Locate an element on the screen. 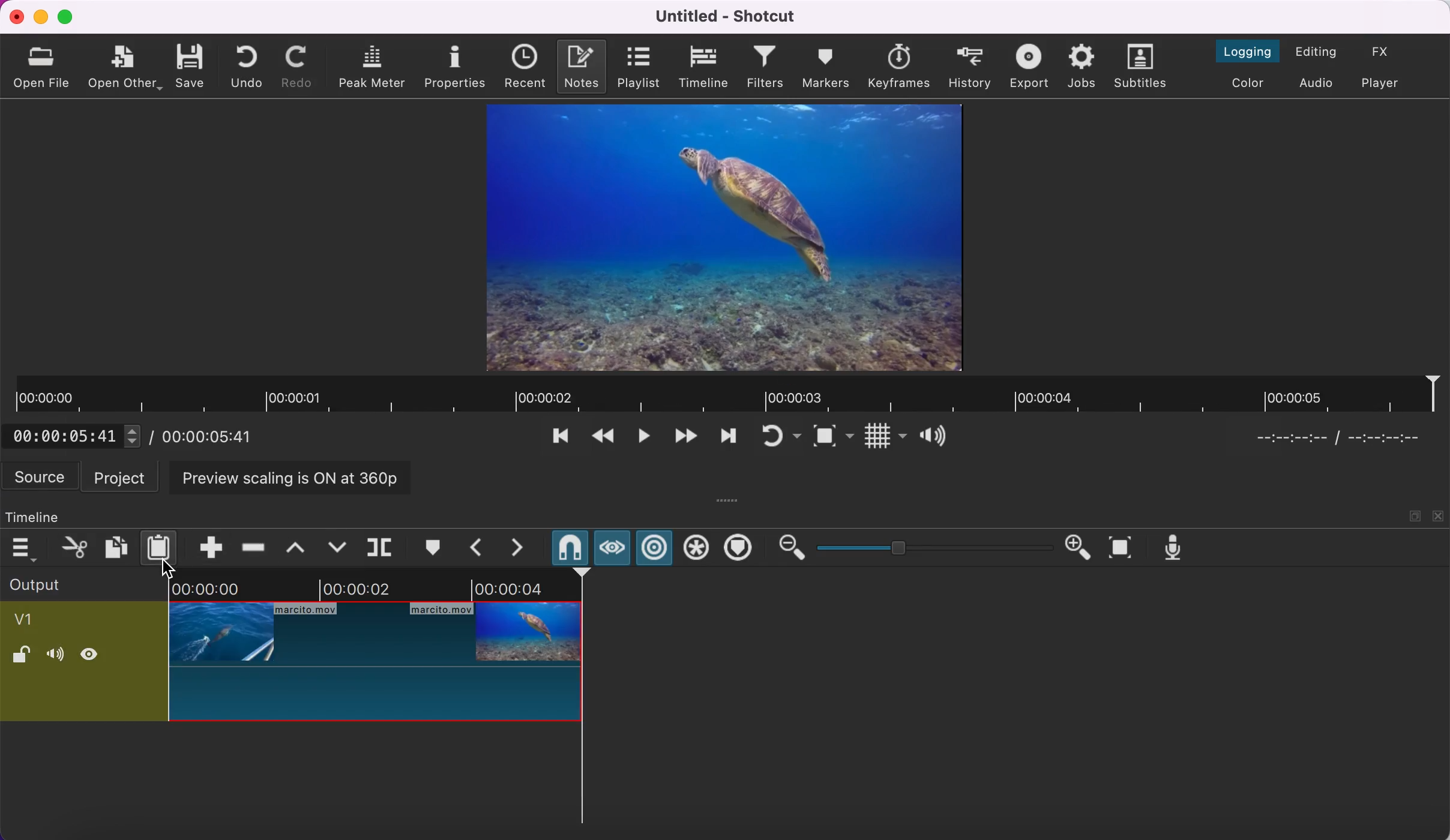  recent is located at coordinates (526, 67).